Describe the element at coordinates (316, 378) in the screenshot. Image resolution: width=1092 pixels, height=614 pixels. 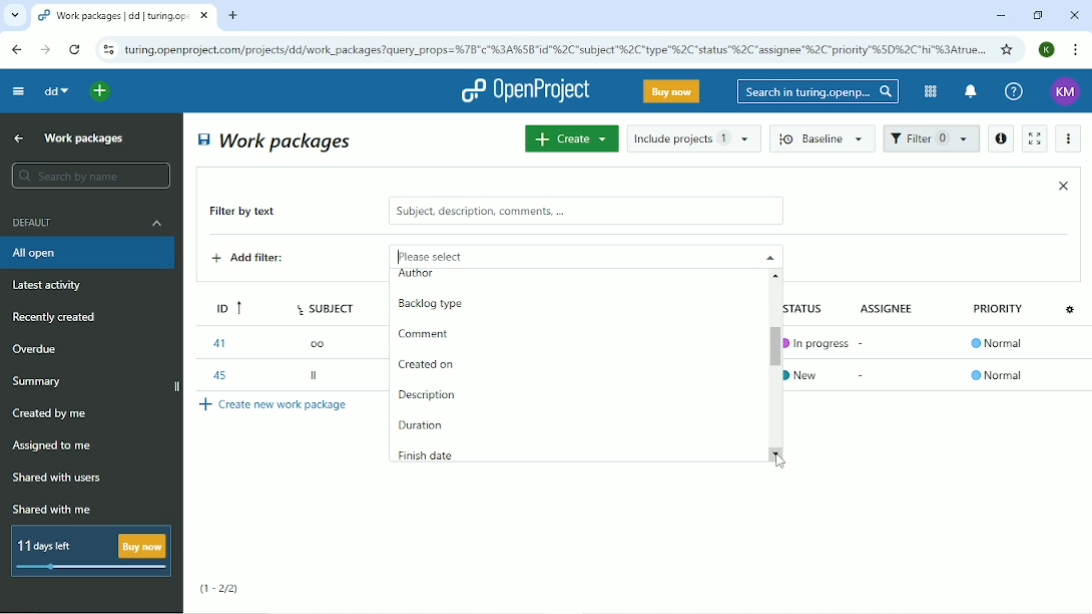
I see `ll` at that location.